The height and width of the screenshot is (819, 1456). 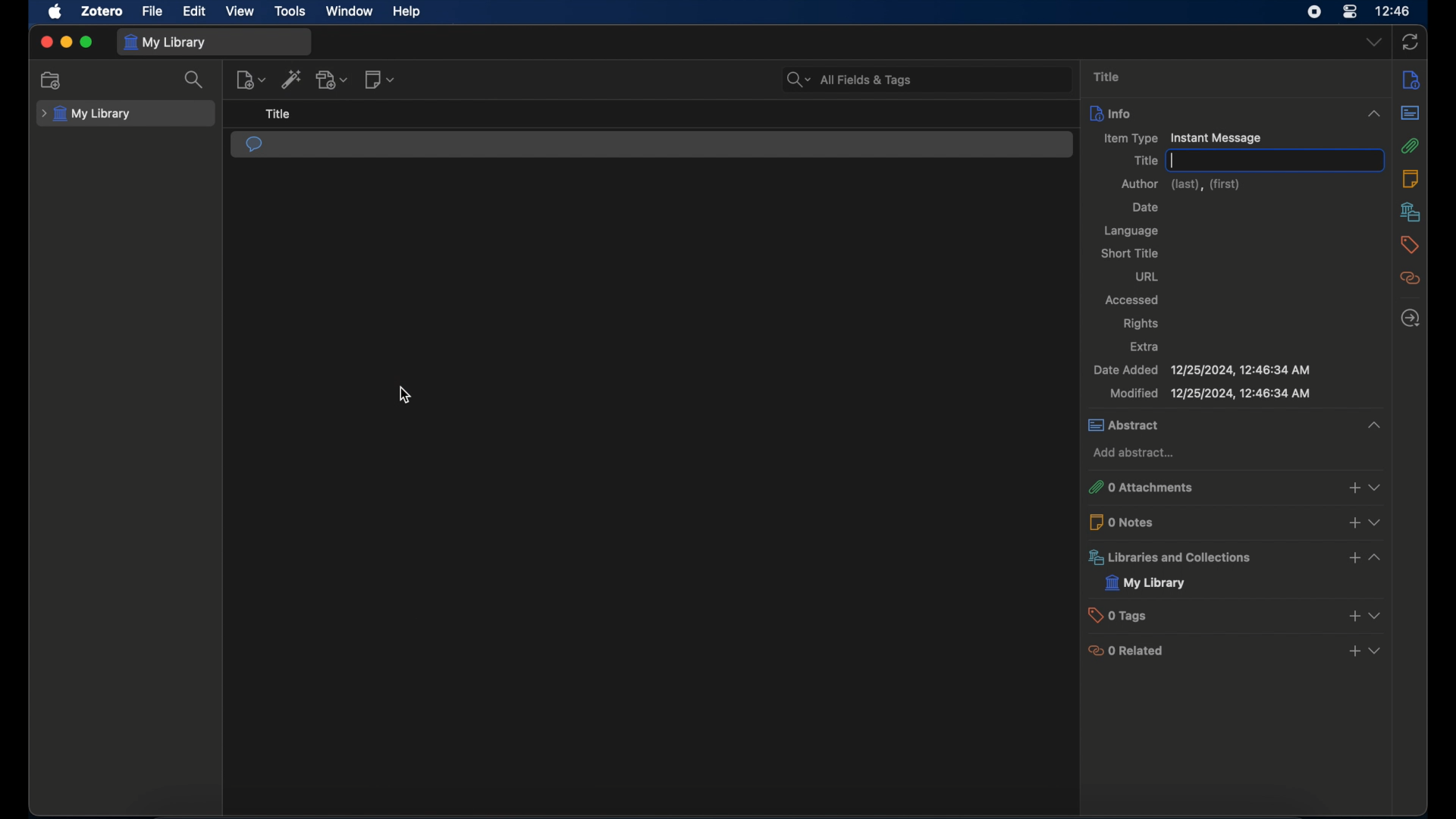 What do you see at coordinates (1410, 212) in the screenshot?
I see `libraries and collections` at bounding box center [1410, 212].